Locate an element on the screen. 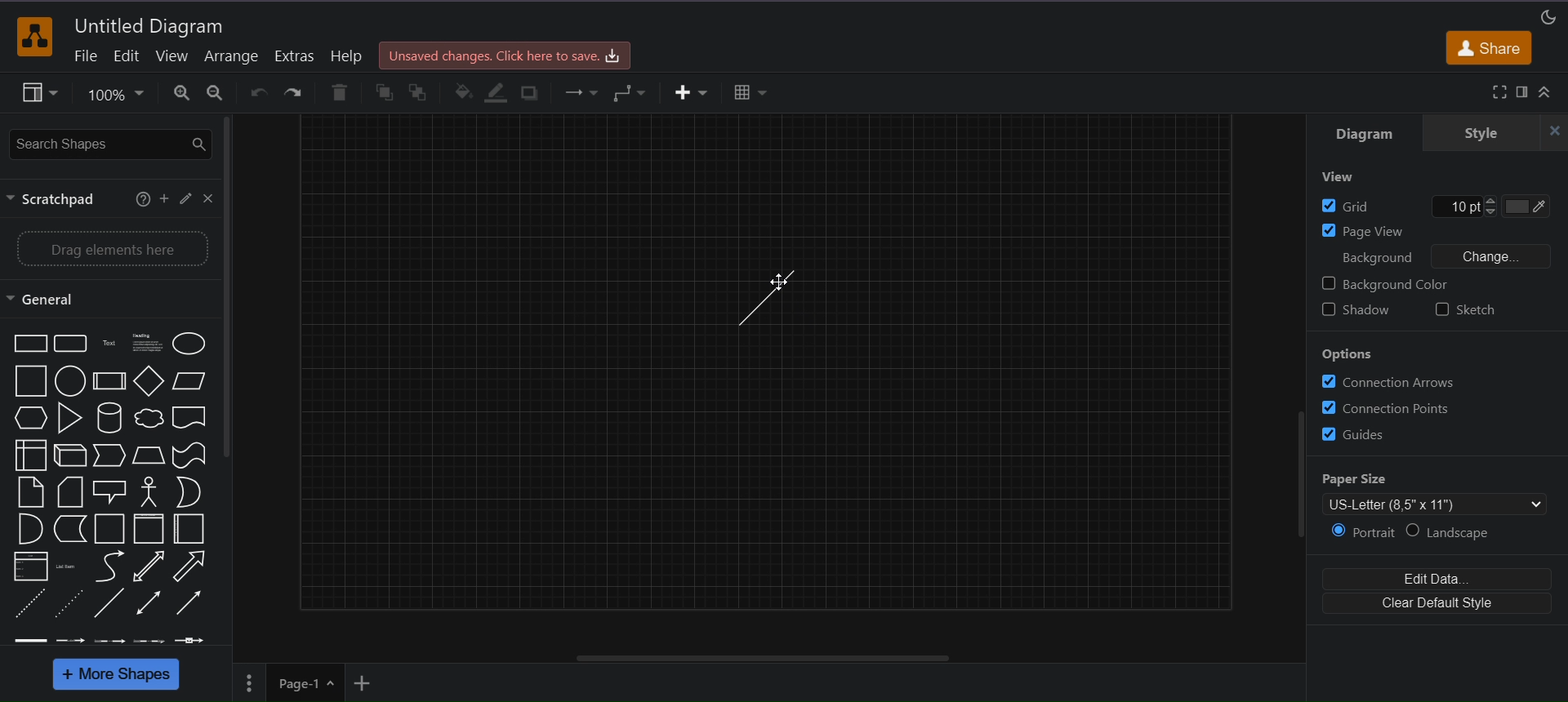  diagram is located at coordinates (1363, 134).